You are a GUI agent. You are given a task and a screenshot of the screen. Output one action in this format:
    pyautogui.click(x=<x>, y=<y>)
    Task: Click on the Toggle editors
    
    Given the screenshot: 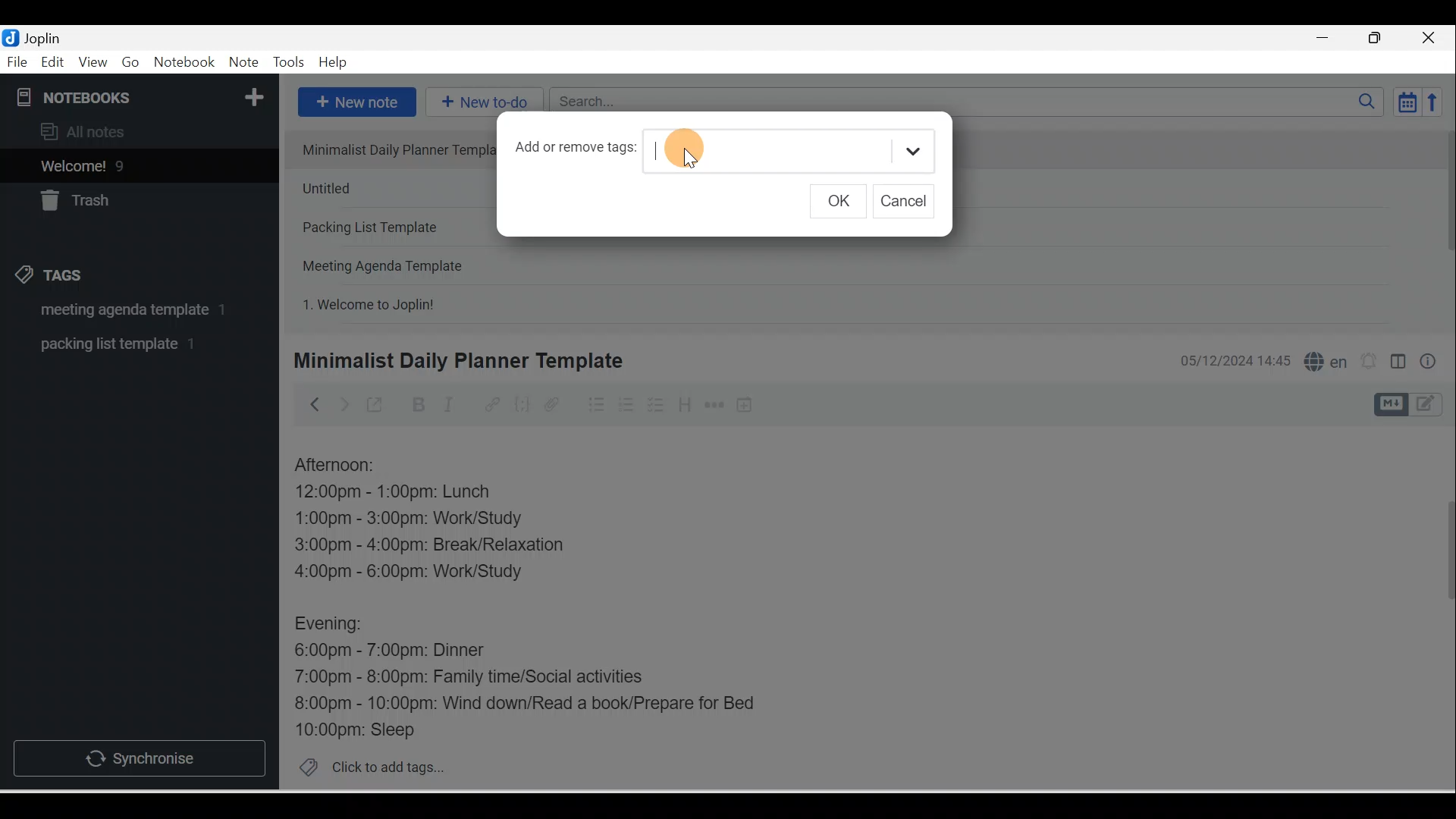 What is the action you would take?
    pyautogui.click(x=1398, y=364)
    